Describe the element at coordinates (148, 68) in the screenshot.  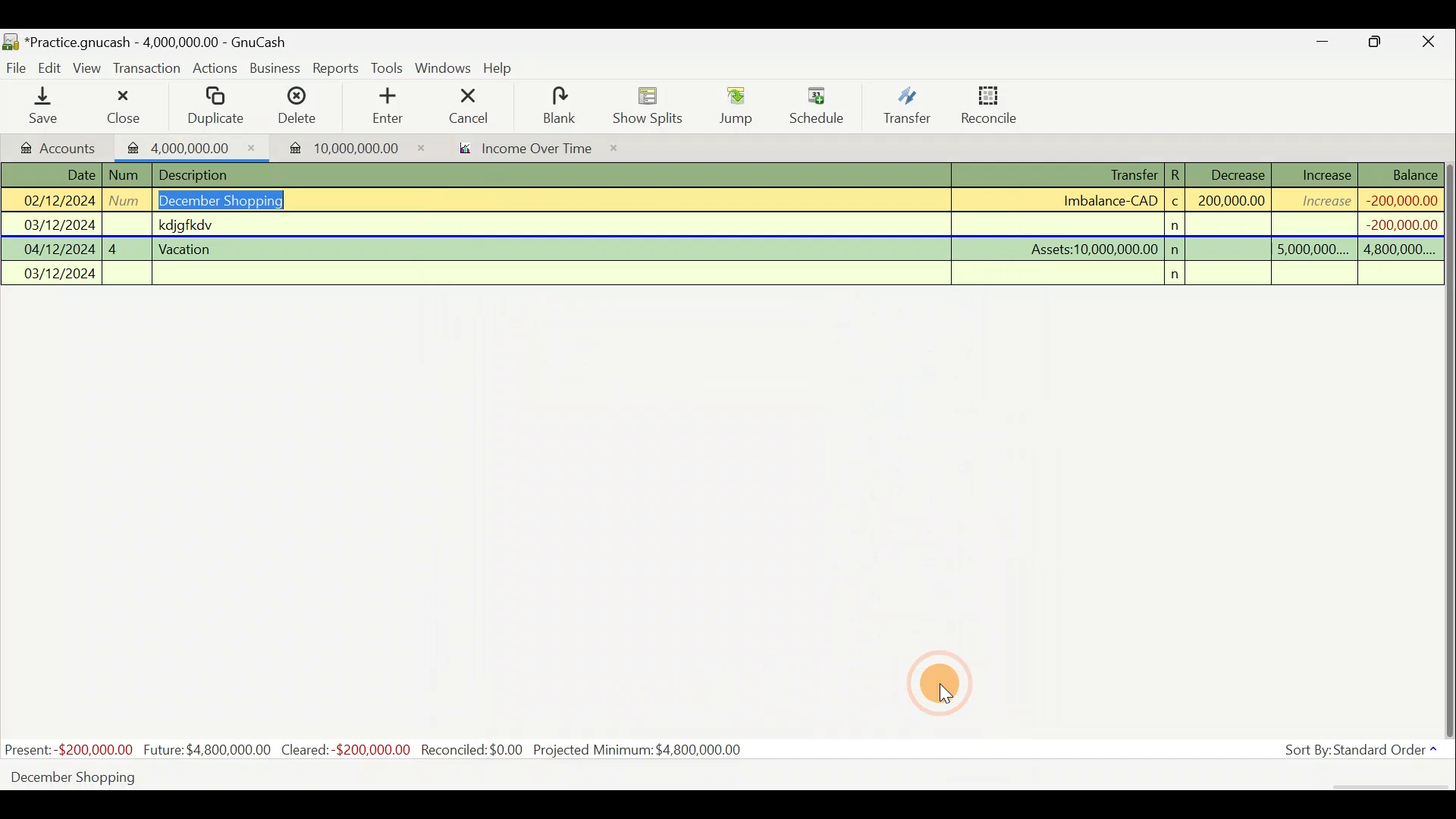
I see `Transaction` at that location.